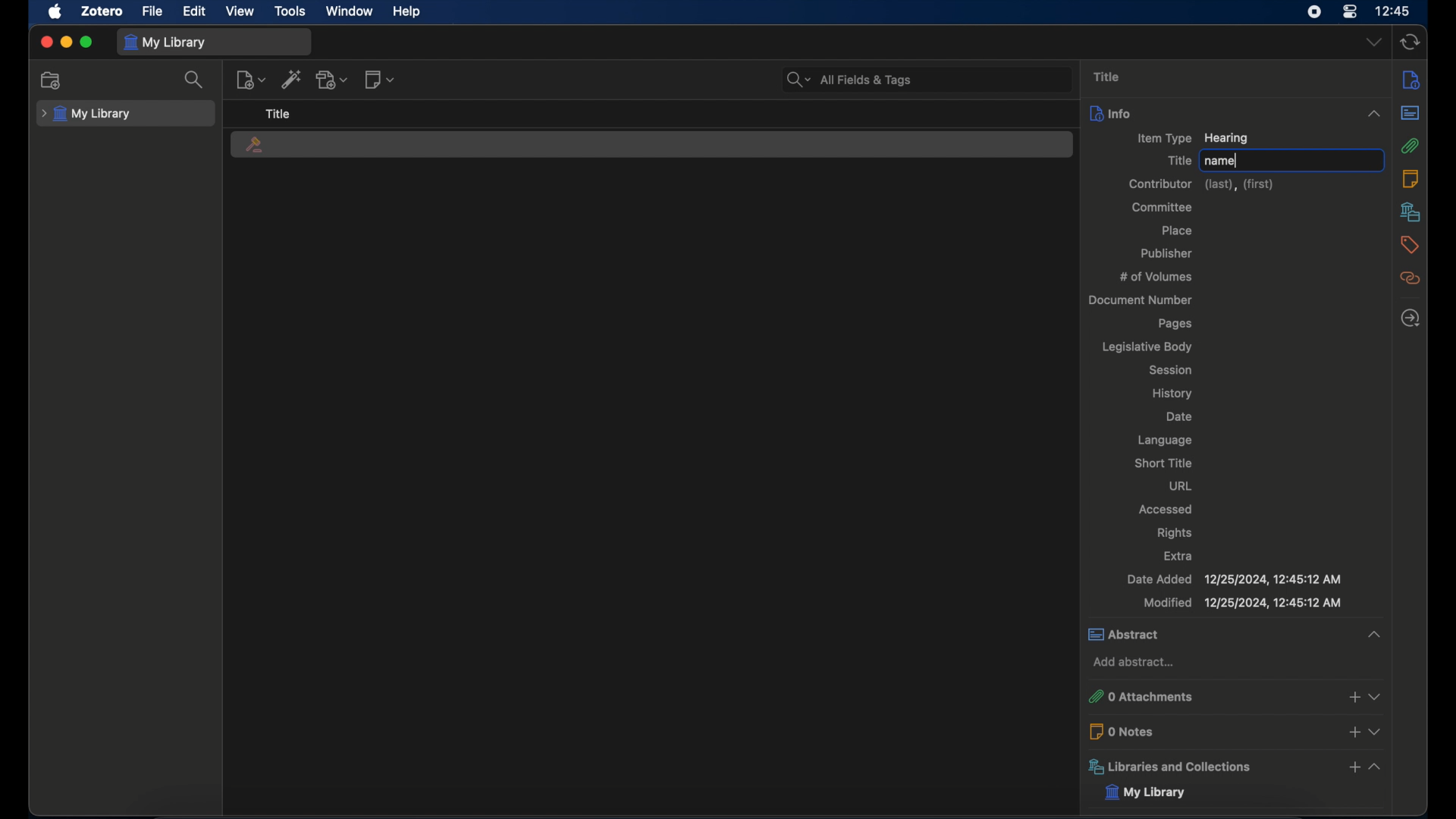 The height and width of the screenshot is (819, 1456). What do you see at coordinates (1107, 76) in the screenshot?
I see `title` at bounding box center [1107, 76].